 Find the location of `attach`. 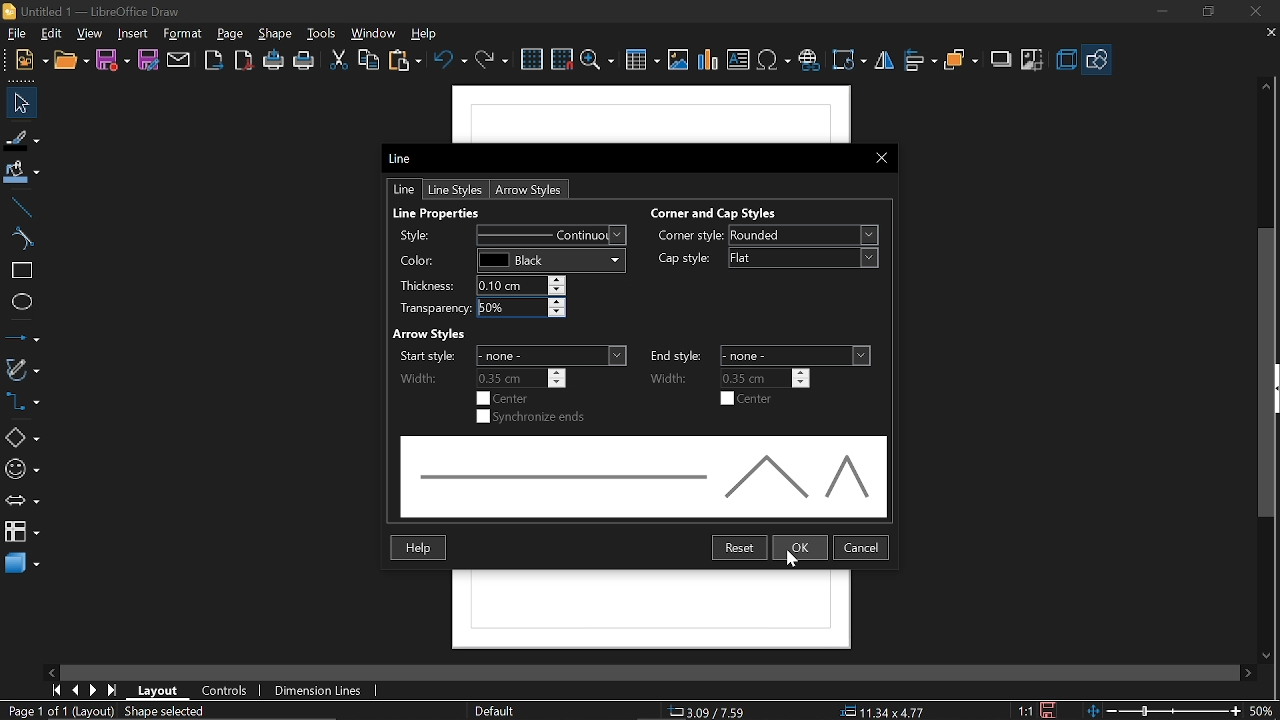

attach is located at coordinates (177, 61).